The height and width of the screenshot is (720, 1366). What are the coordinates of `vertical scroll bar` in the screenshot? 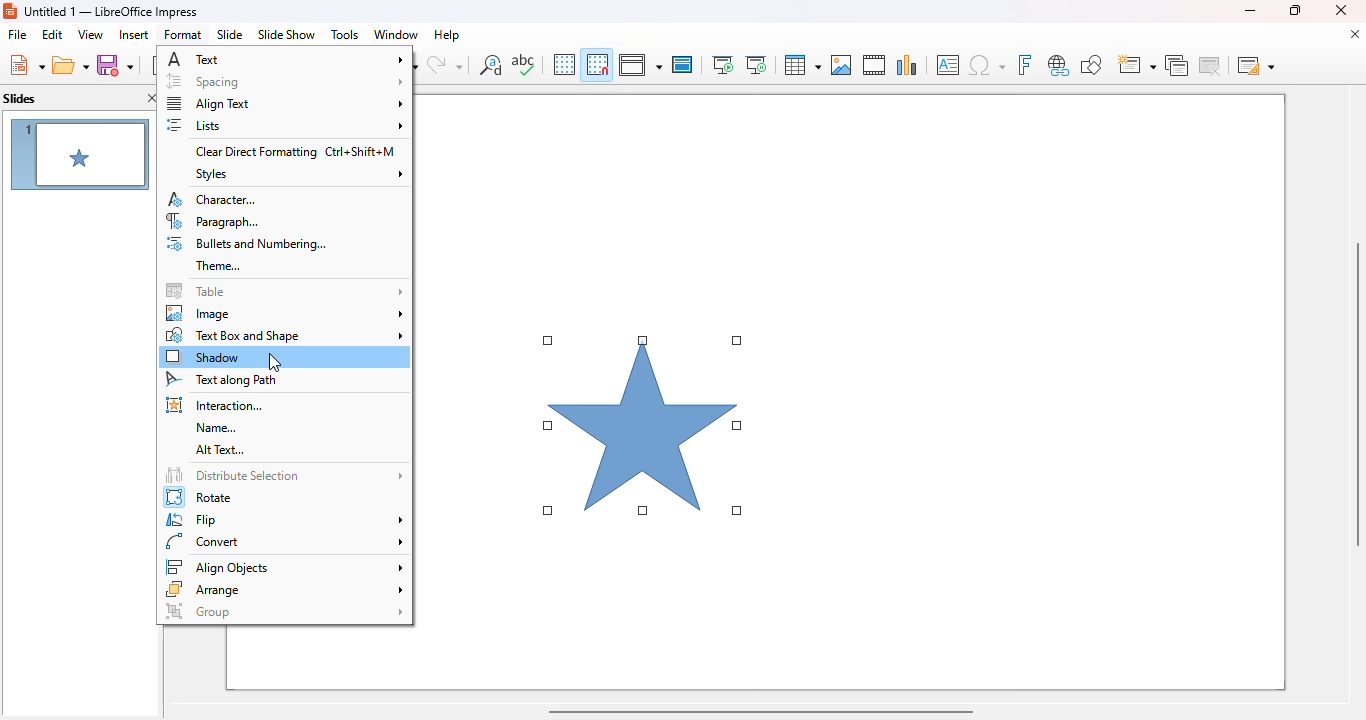 It's located at (1354, 394).